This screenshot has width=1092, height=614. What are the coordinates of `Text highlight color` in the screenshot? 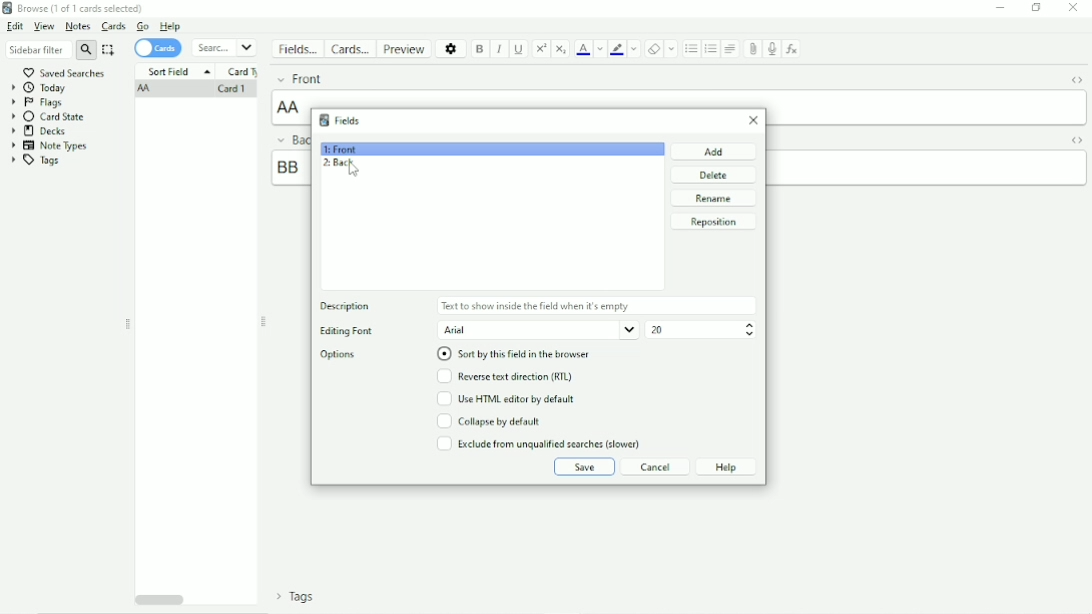 It's located at (617, 49).